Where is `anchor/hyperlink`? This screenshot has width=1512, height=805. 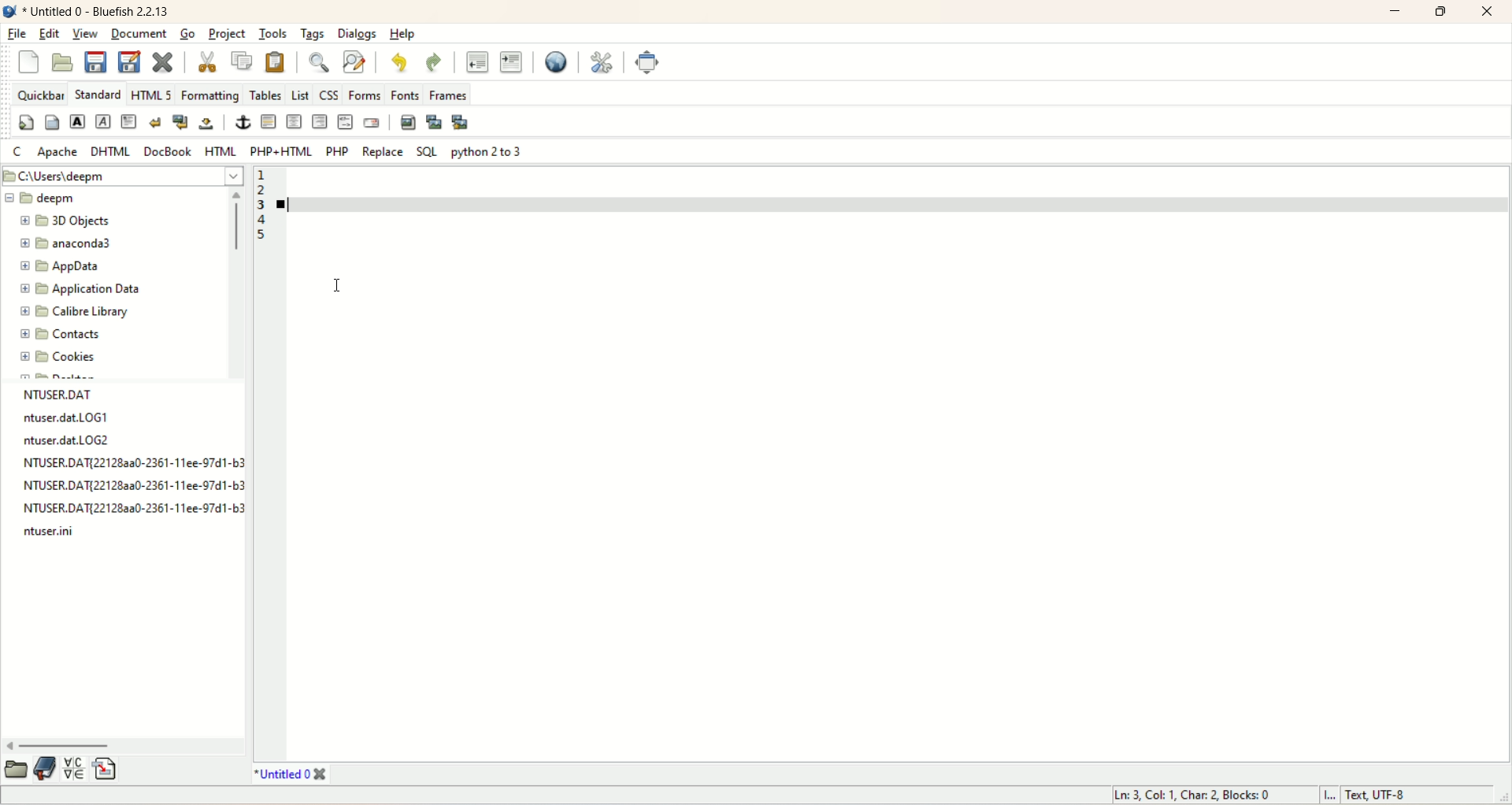
anchor/hyperlink is located at coordinates (243, 123).